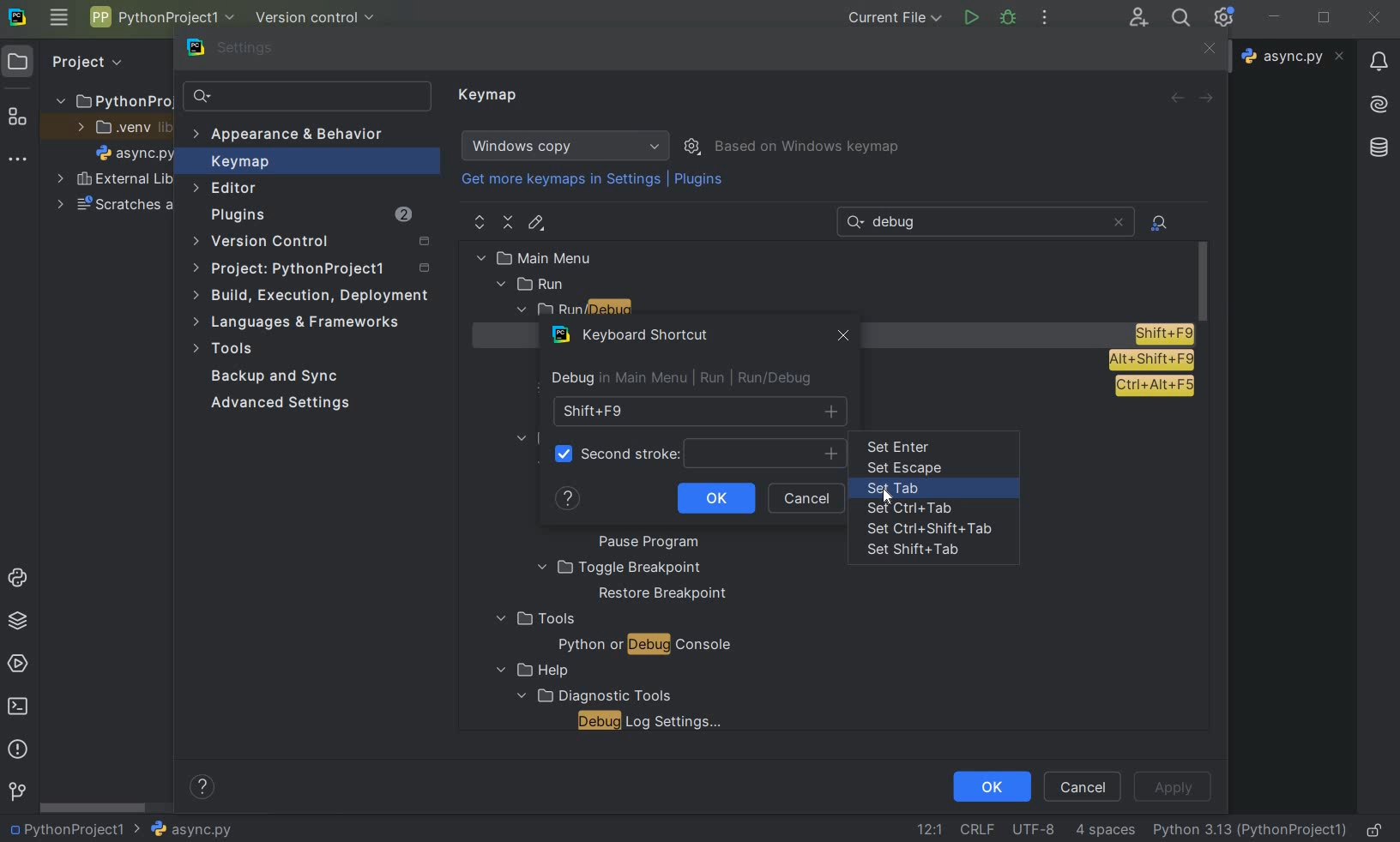 The width and height of the screenshot is (1400, 842). What do you see at coordinates (715, 499) in the screenshot?
I see `ok` at bounding box center [715, 499].